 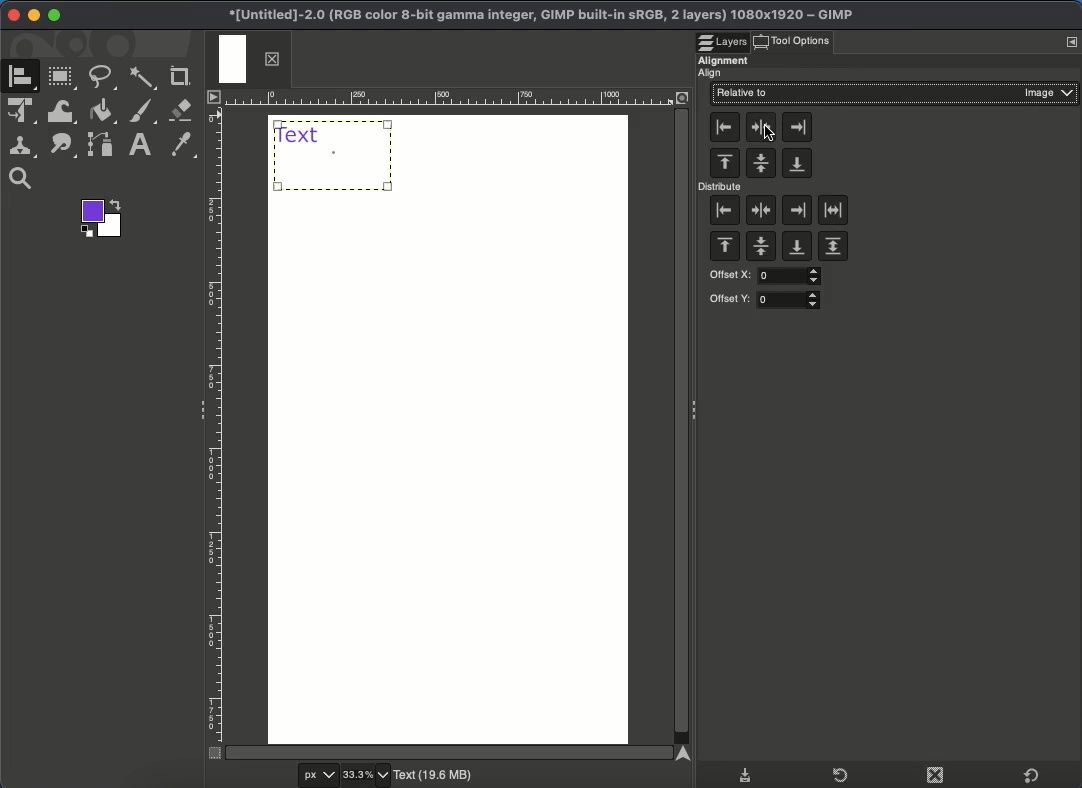 What do you see at coordinates (805, 41) in the screenshot?
I see `Click tool options` at bounding box center [805, 41].